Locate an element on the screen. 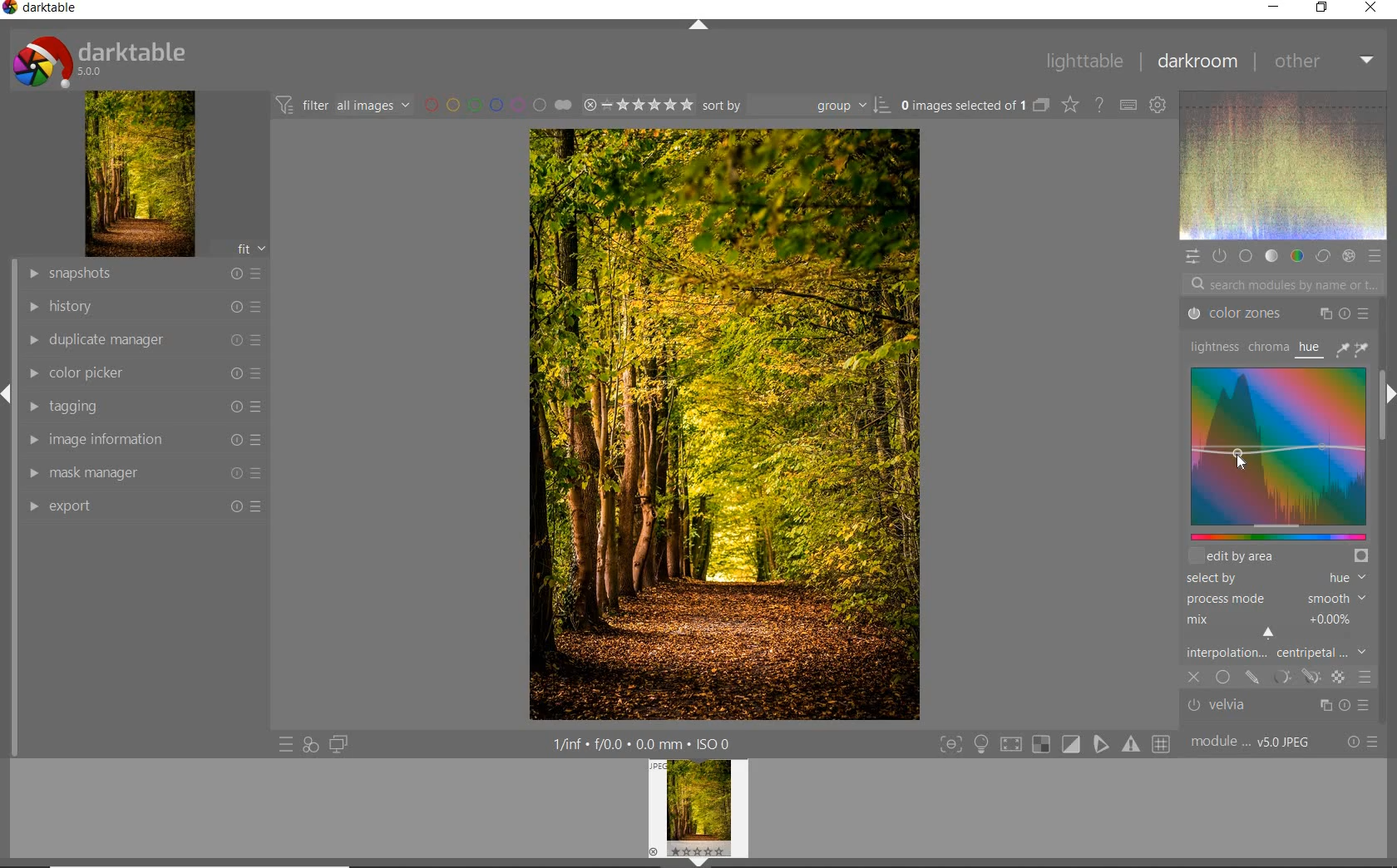  LIGHTTABLE is located at coordinates (1085, 62).